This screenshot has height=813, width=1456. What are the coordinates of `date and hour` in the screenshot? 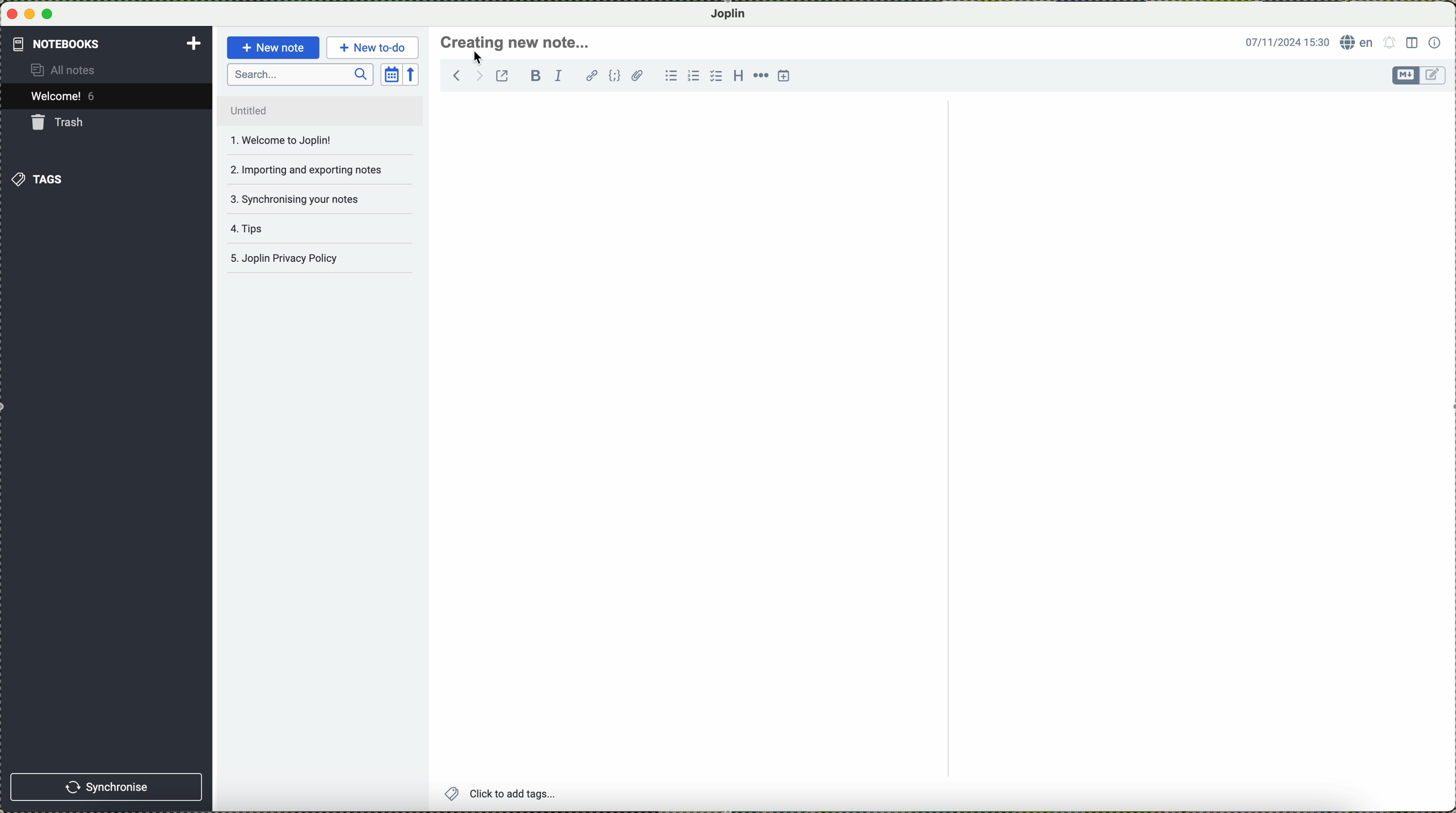 It's located at (1283, 41).